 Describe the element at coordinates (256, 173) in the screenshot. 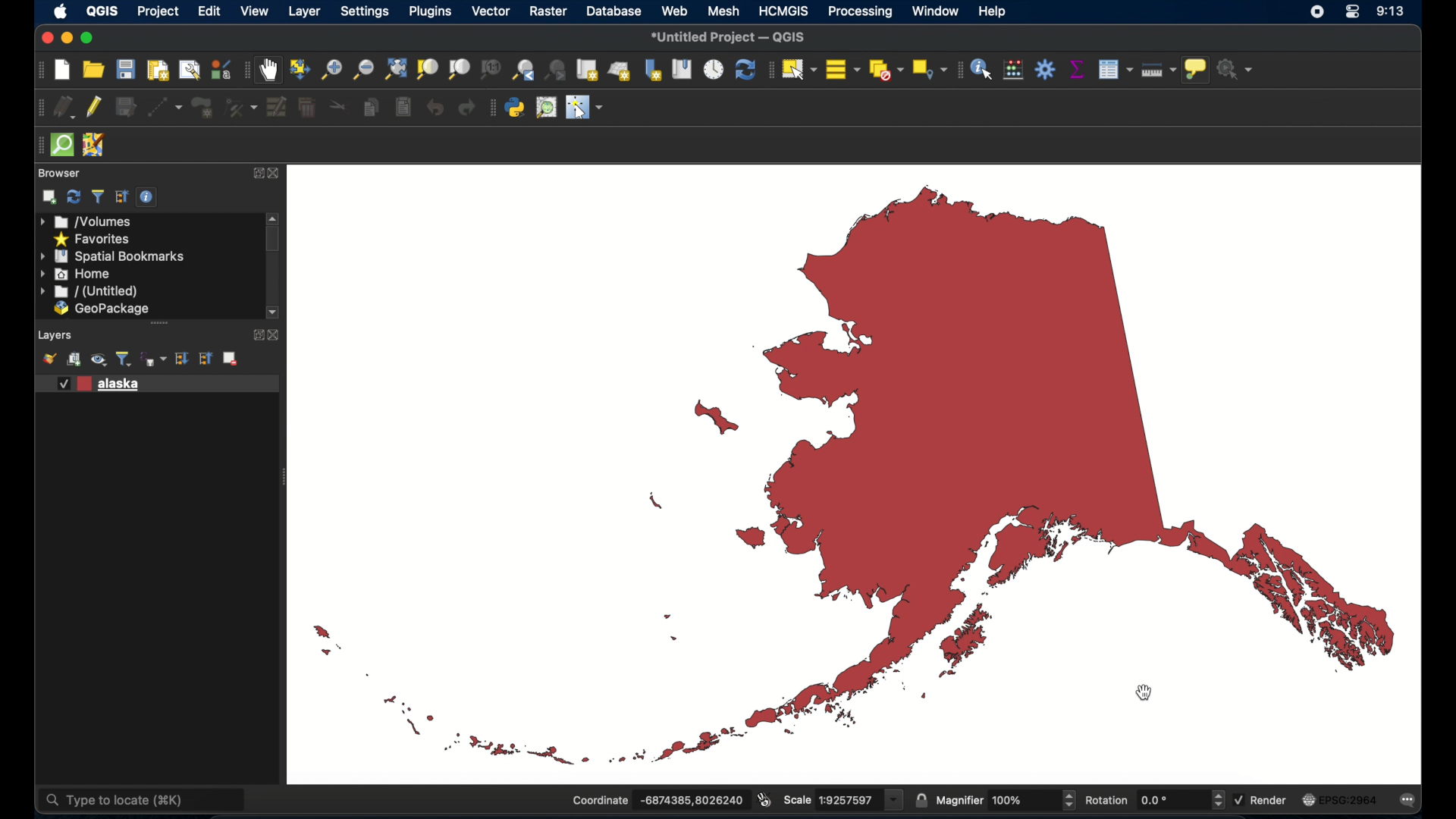

I see `expand` at that location.